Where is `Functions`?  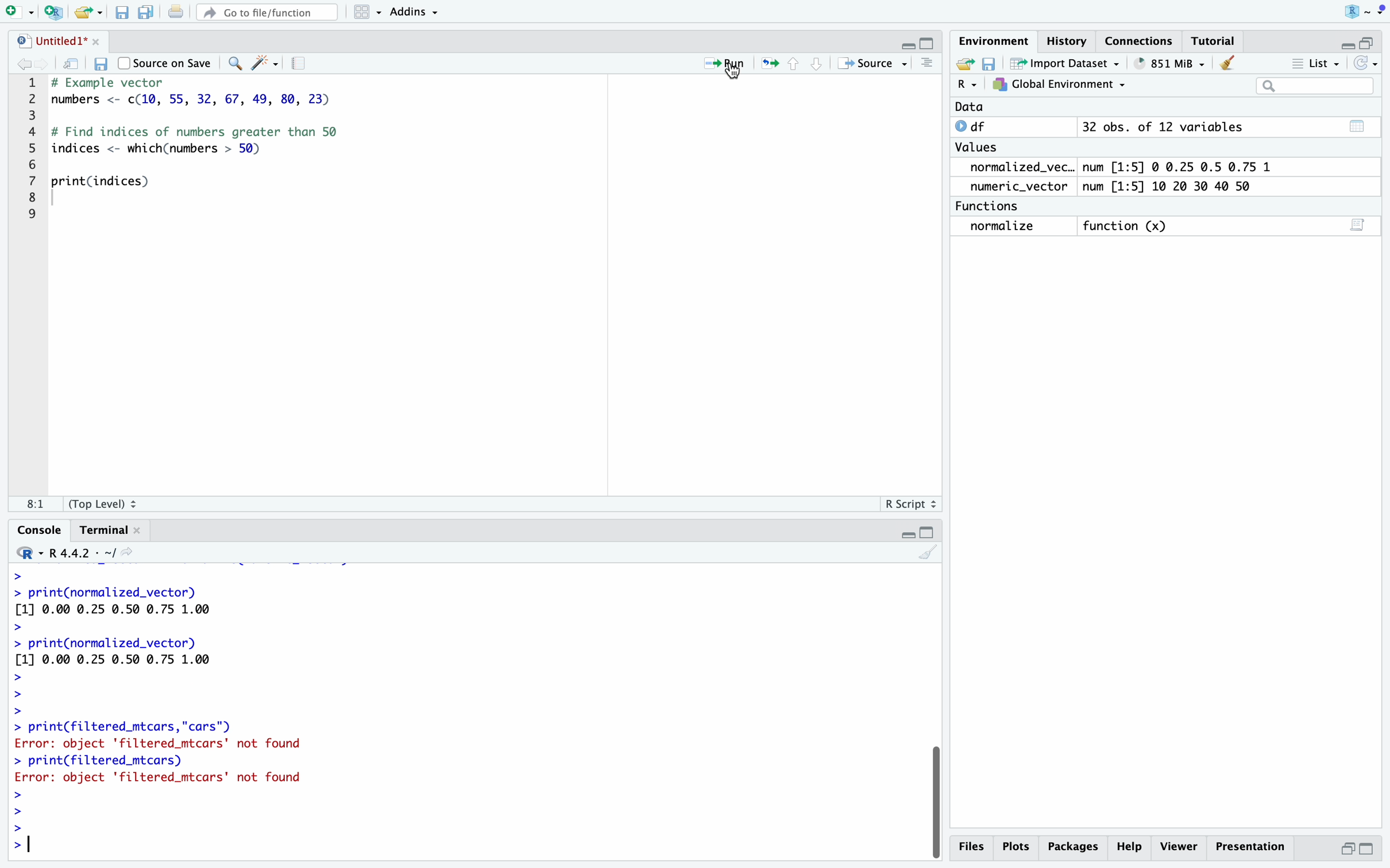 Functions is located at coordinates (991, 205).